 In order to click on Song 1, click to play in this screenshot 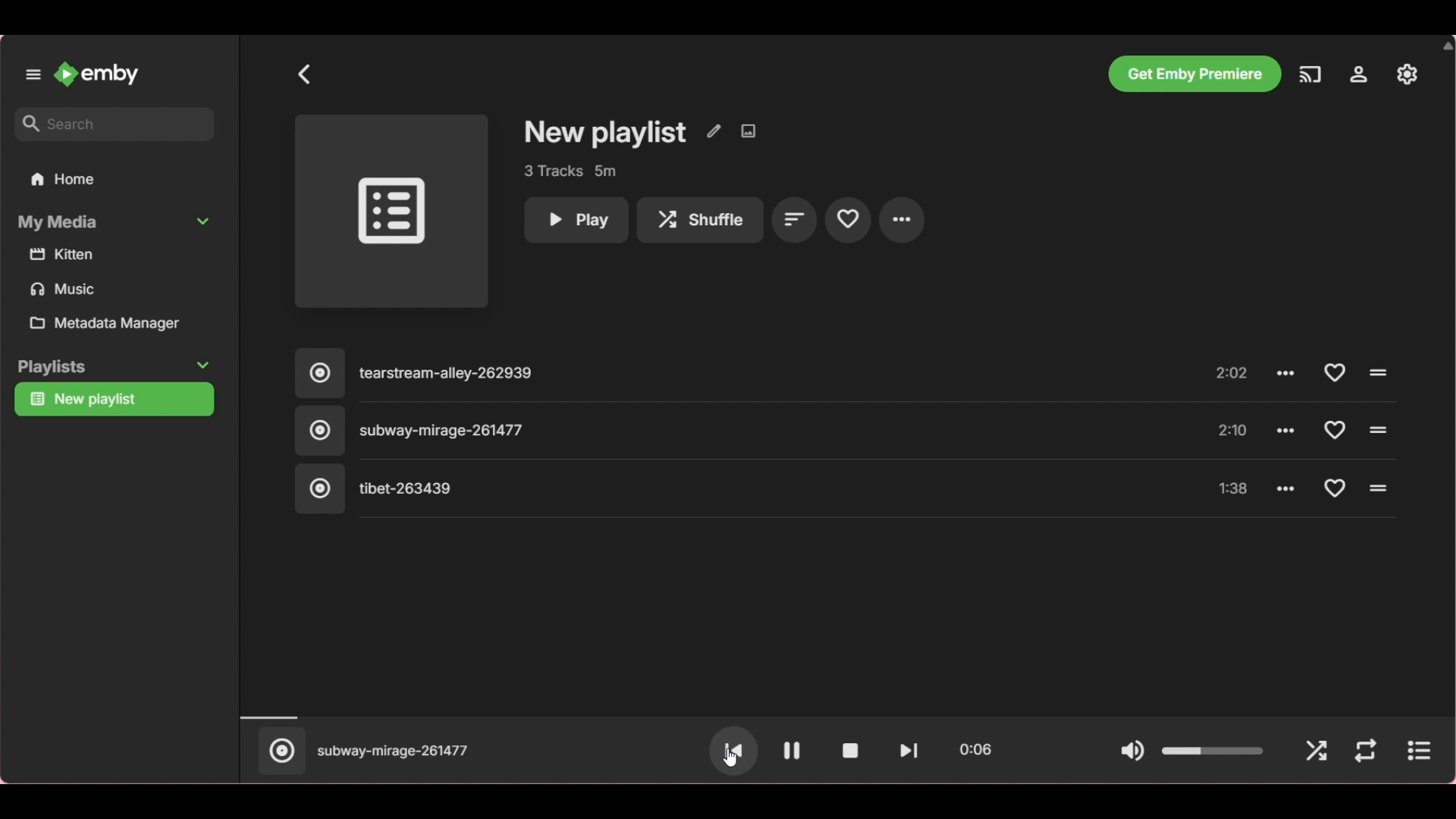, I will do `click(721, 375)`.